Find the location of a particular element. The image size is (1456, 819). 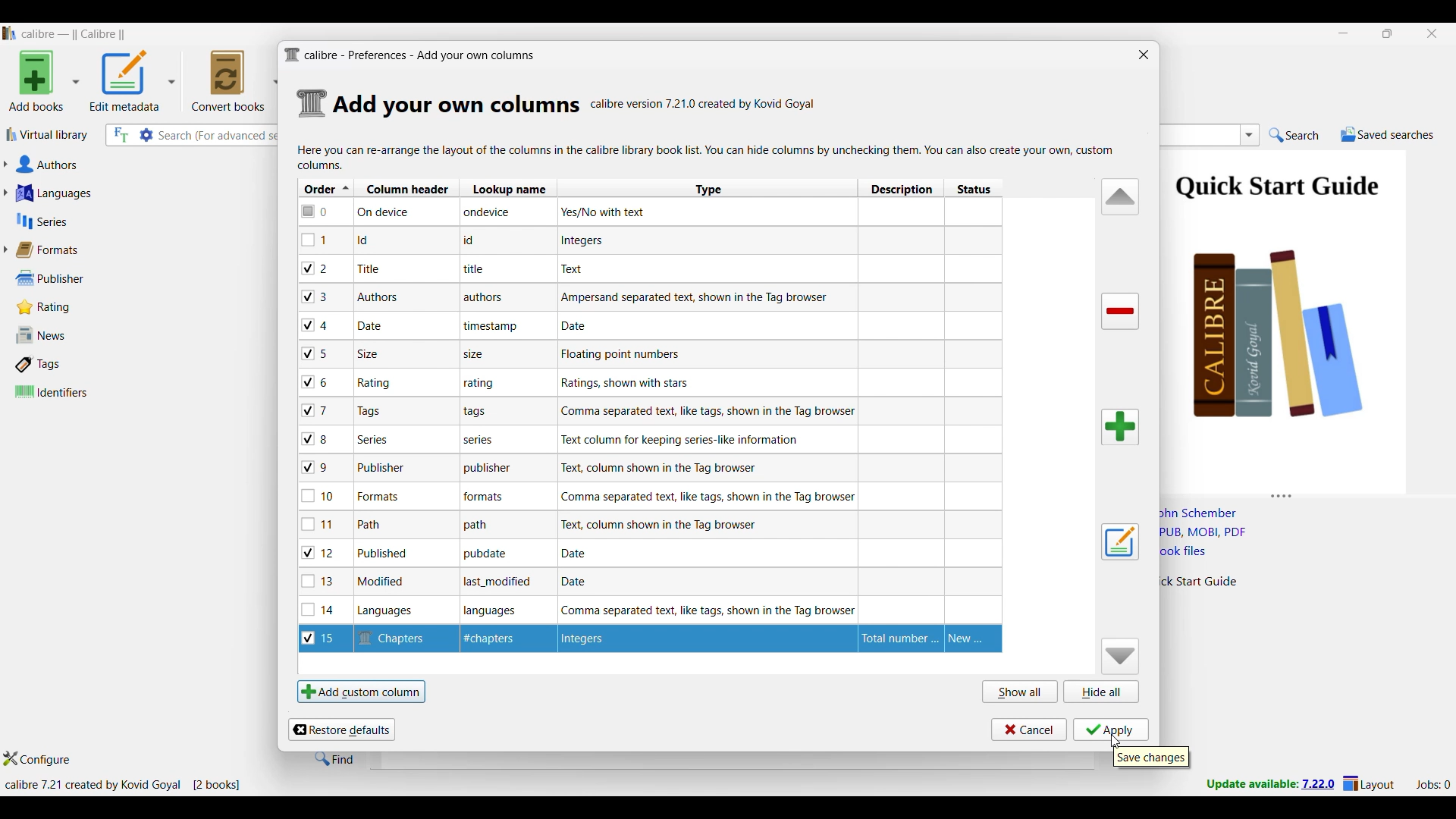

note is located at coordinates (482, 440).